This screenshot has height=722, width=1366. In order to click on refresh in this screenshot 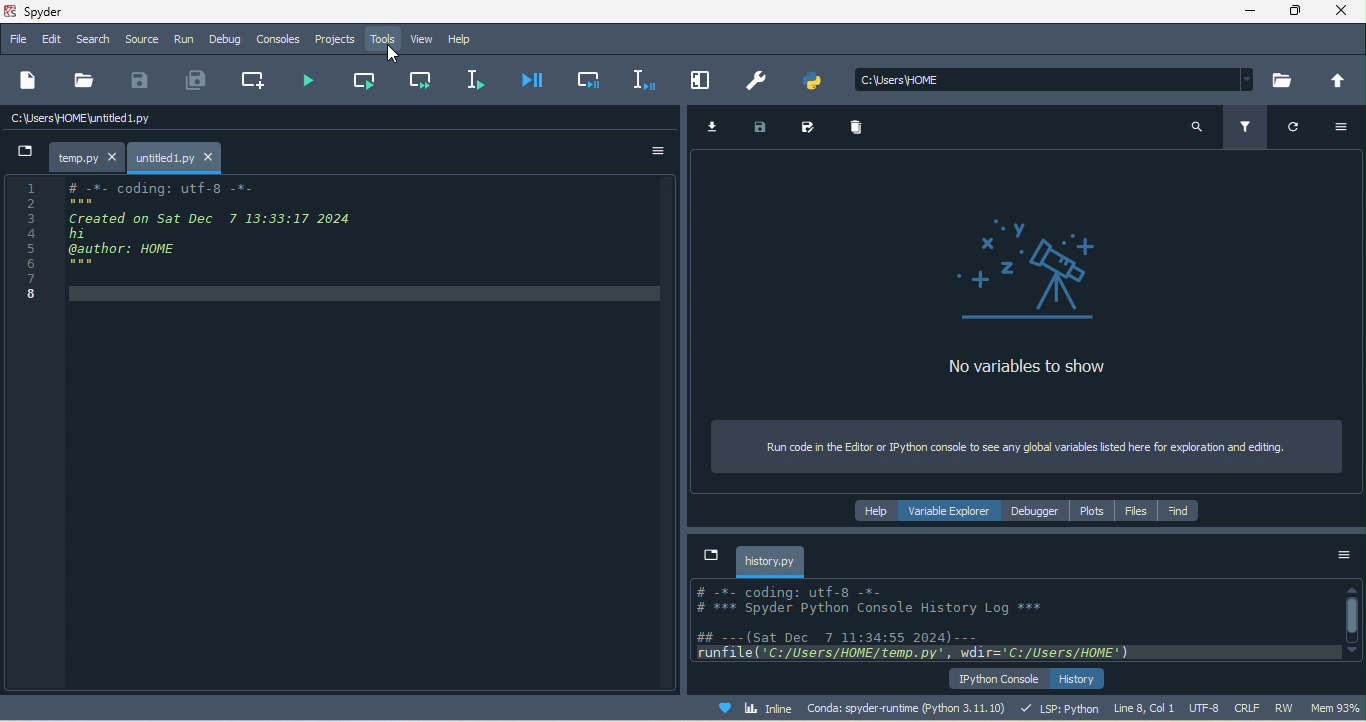, I will do `click(1289, 130)`.